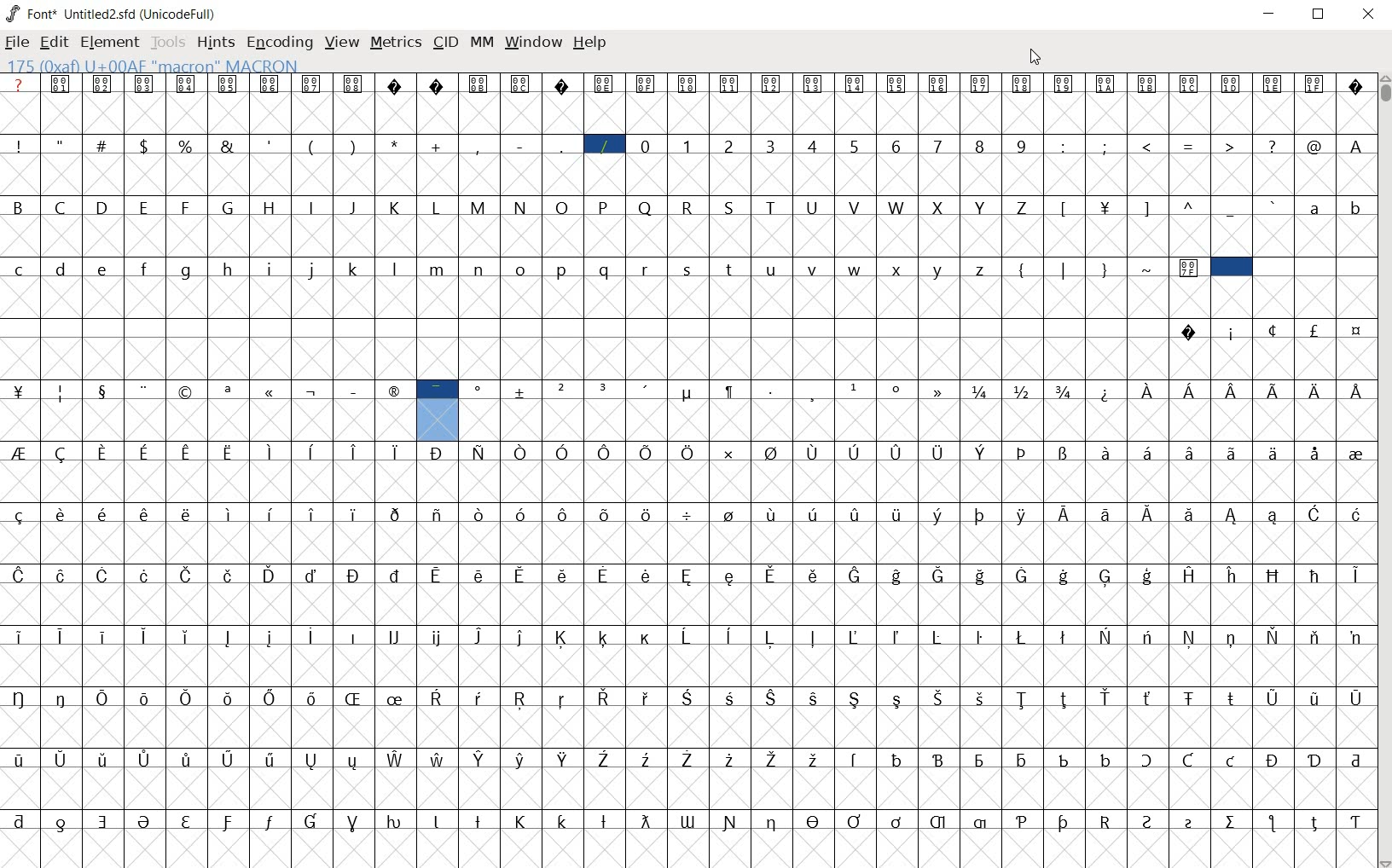 This screenshot has width=1392, height=868. Describe the element at coordinates (150, 66) in the screenshot. I see `175 (0xaf) U+00AF "macron" MACRON` at that location.